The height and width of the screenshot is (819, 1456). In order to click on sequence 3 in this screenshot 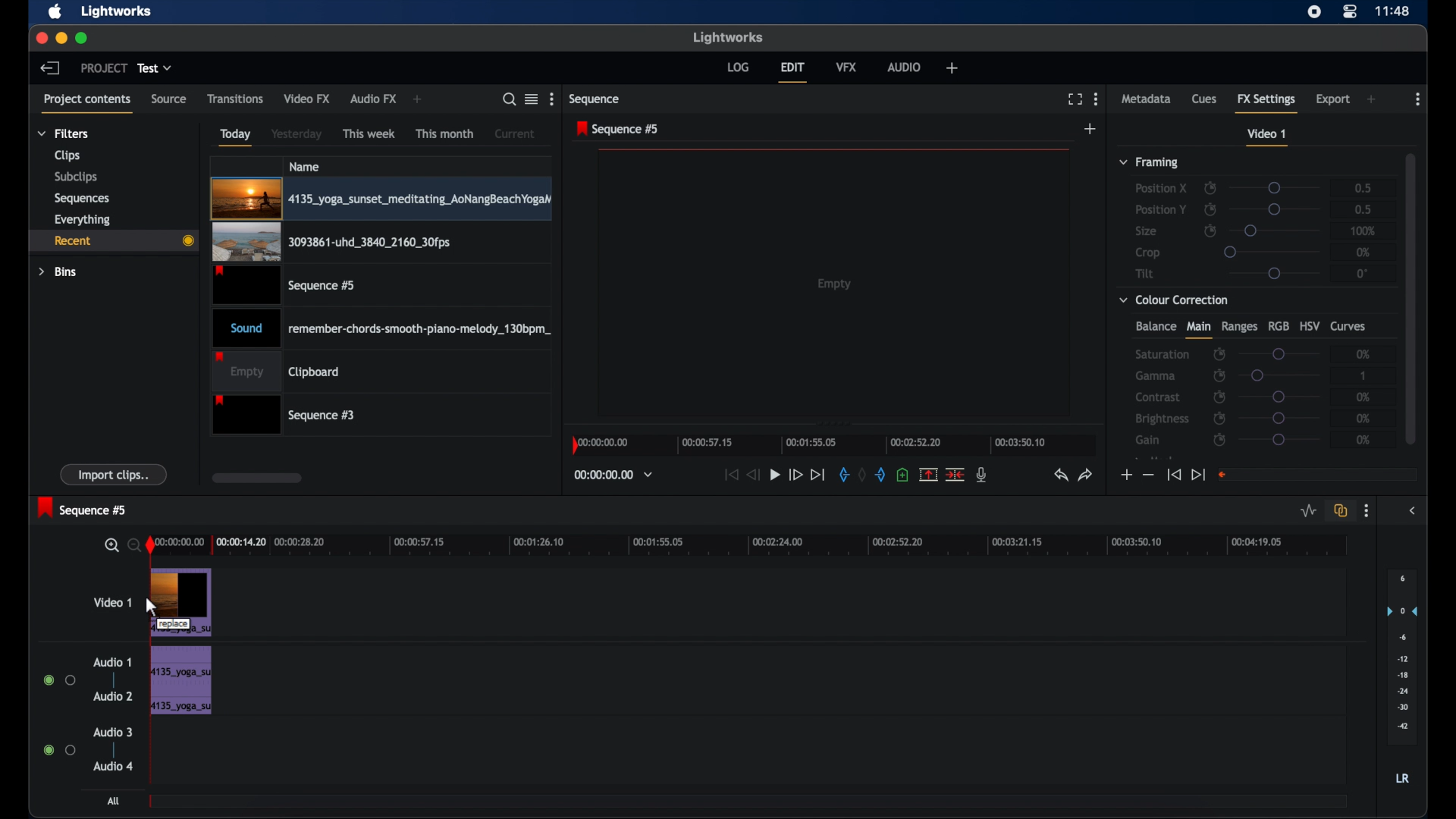, I will do `click(284, 414)`.